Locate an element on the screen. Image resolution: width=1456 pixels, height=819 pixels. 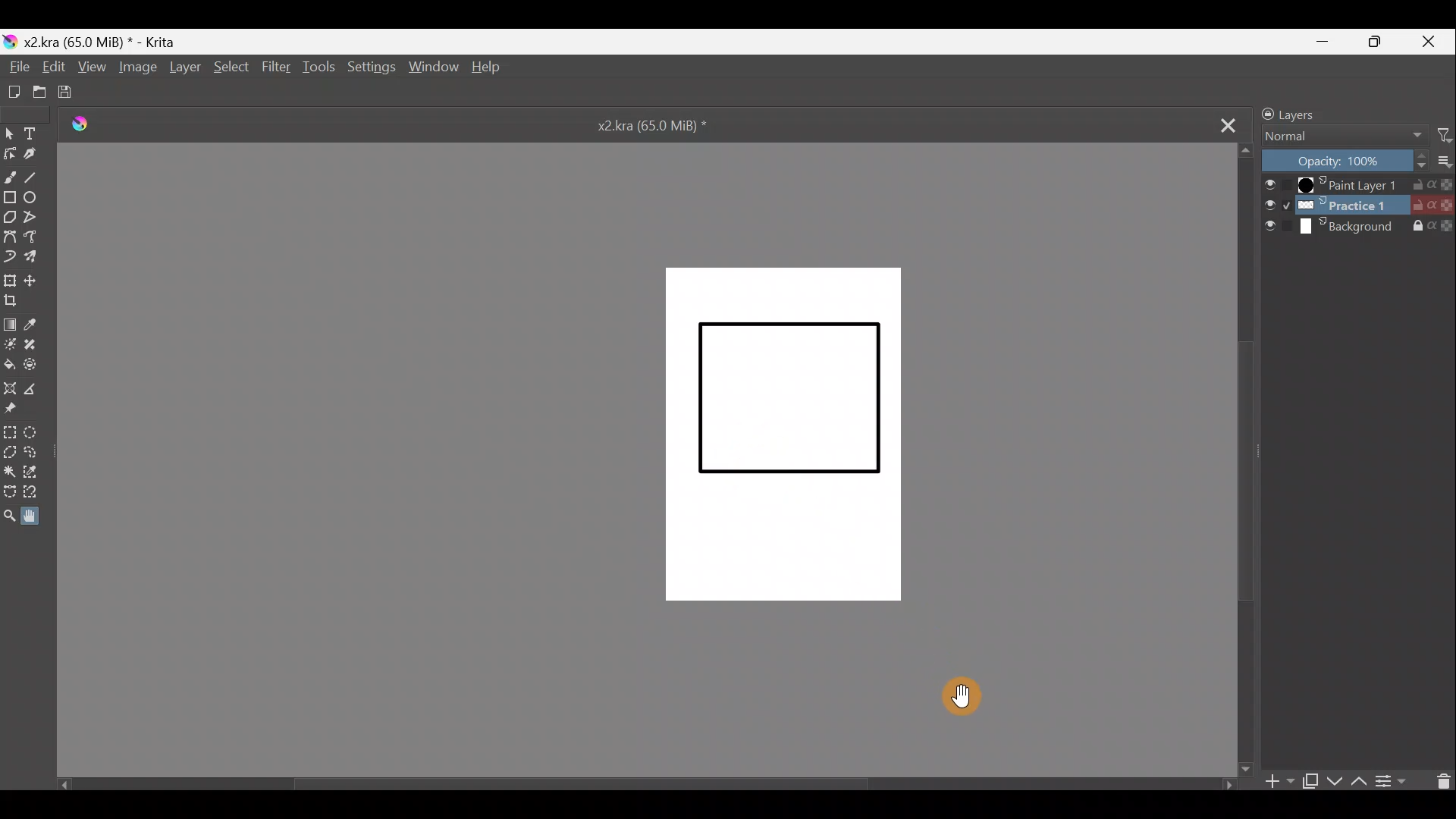
Normal Blending mode is located at coordinates (1337, 136).